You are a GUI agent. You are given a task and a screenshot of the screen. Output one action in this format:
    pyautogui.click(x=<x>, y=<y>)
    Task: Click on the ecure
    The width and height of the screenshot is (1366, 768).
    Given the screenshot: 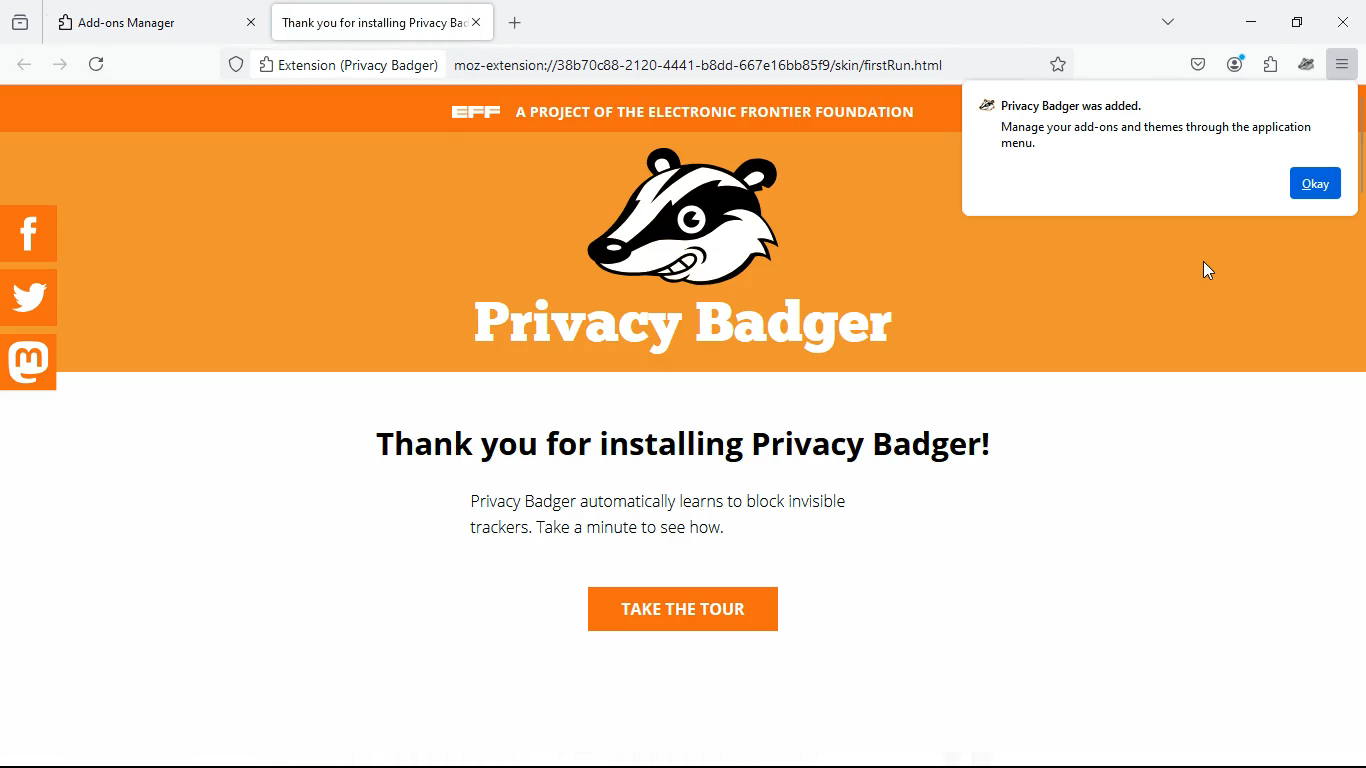 What is the action you would take?
    pyautogui.click(x=235, y=63)
    